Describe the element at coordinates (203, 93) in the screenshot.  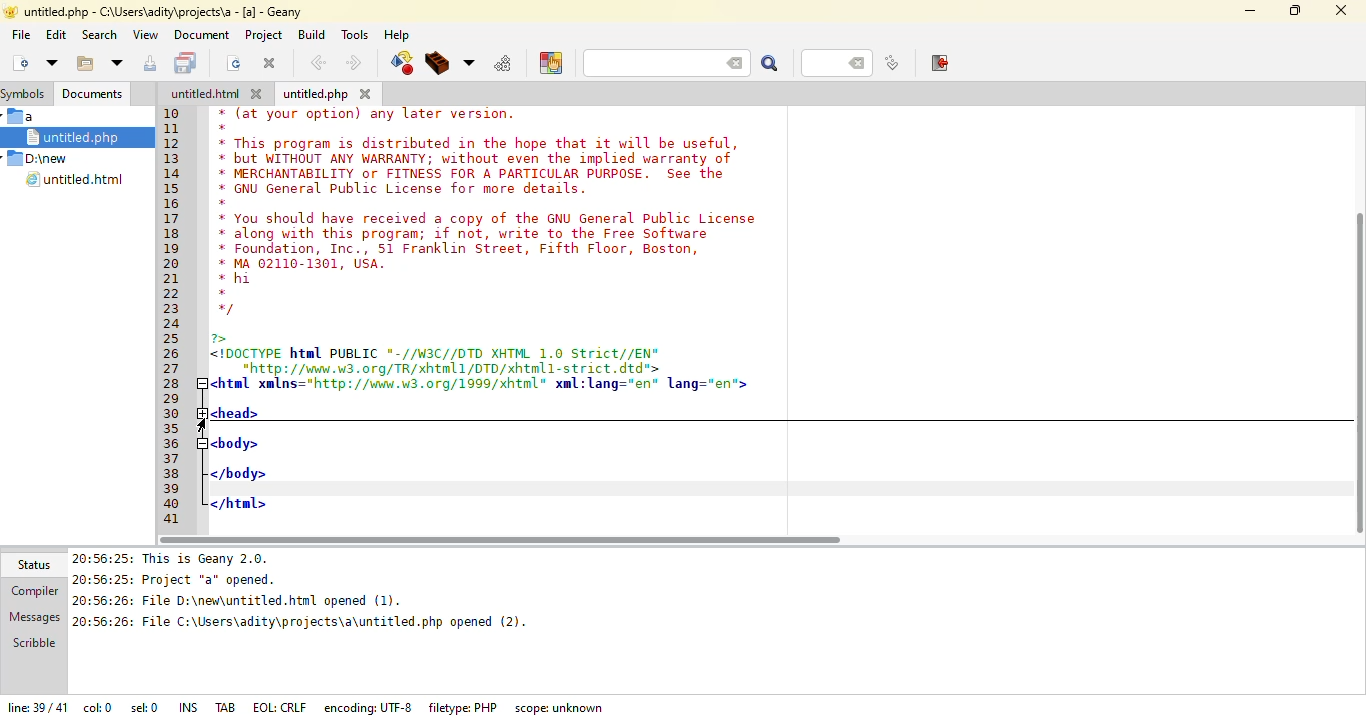
I see `untitled.html` at that location.